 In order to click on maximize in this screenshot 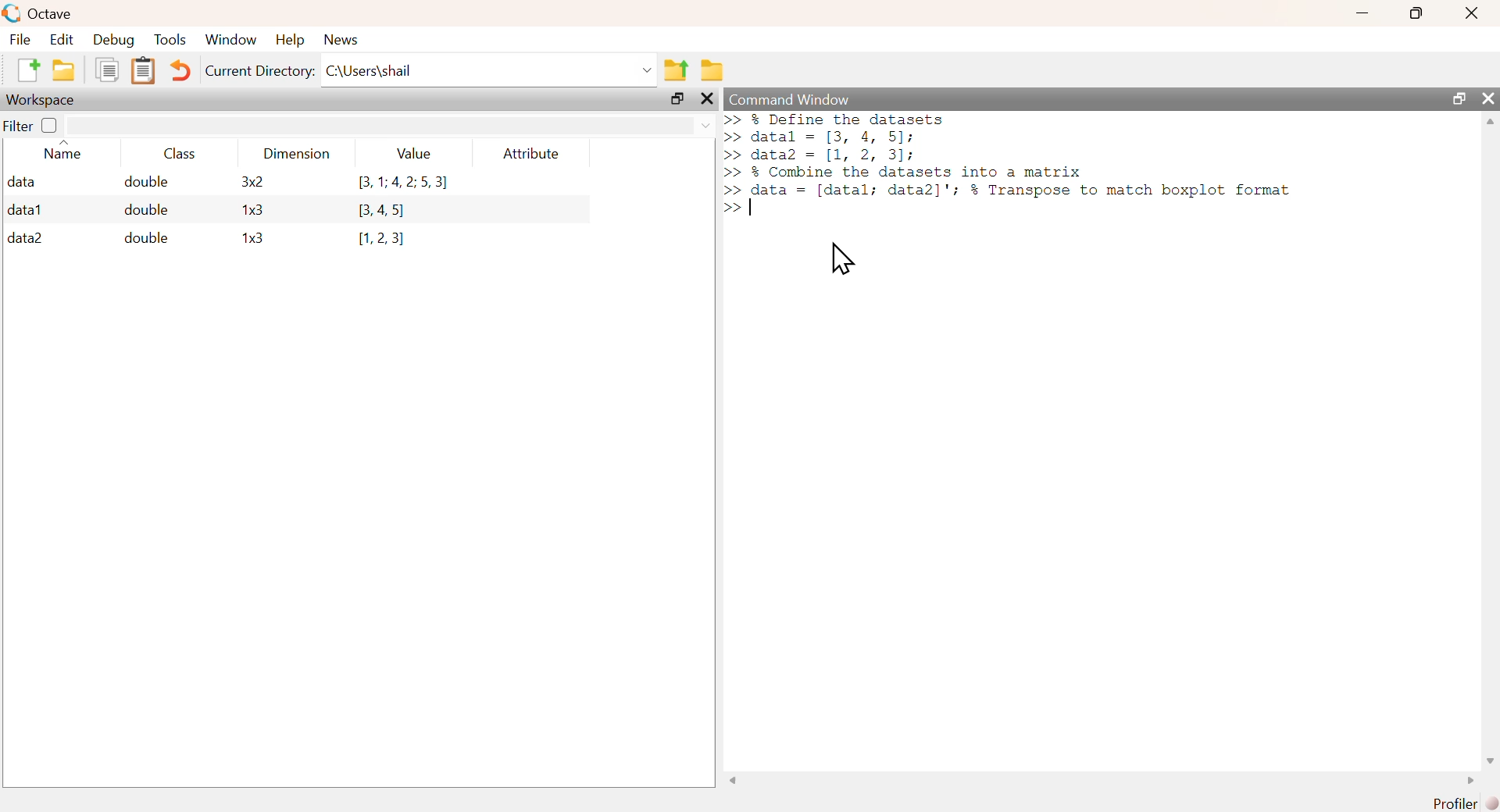, I will do `click(678, 101)`.